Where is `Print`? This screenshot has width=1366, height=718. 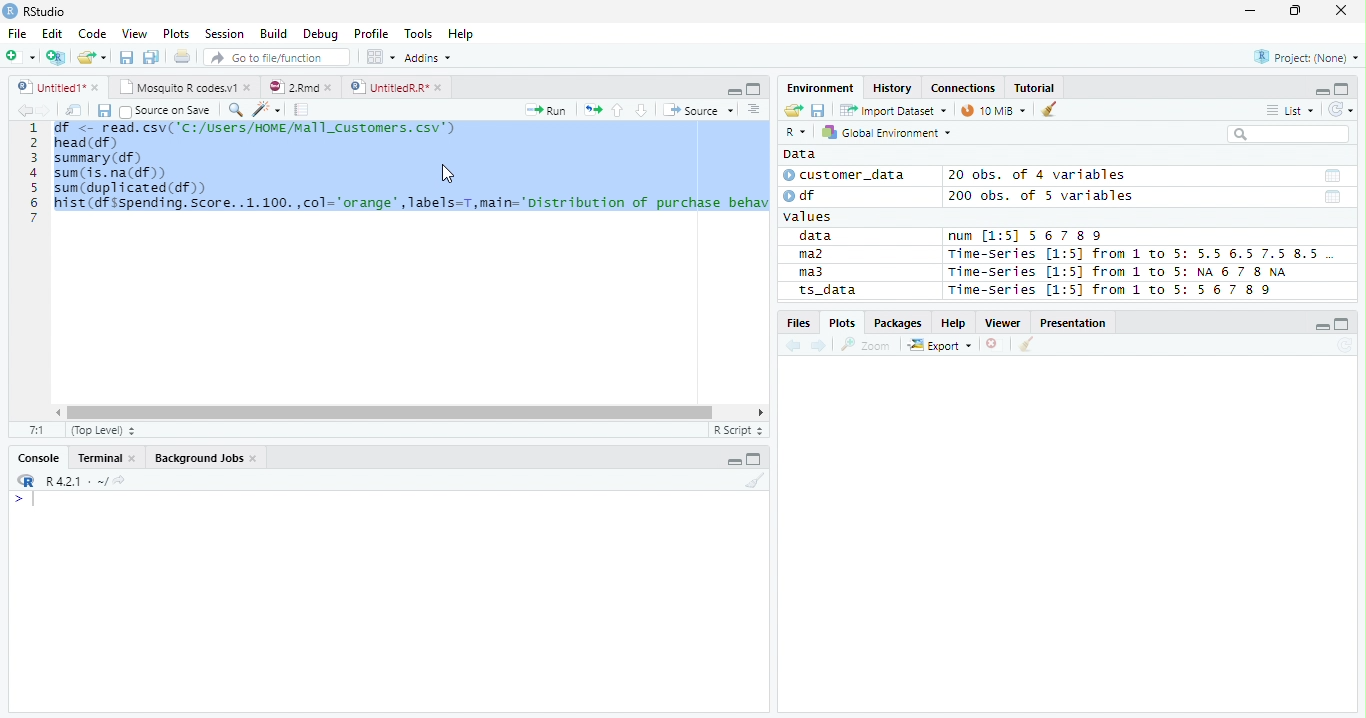
Print is located at coordinates (181, 57).